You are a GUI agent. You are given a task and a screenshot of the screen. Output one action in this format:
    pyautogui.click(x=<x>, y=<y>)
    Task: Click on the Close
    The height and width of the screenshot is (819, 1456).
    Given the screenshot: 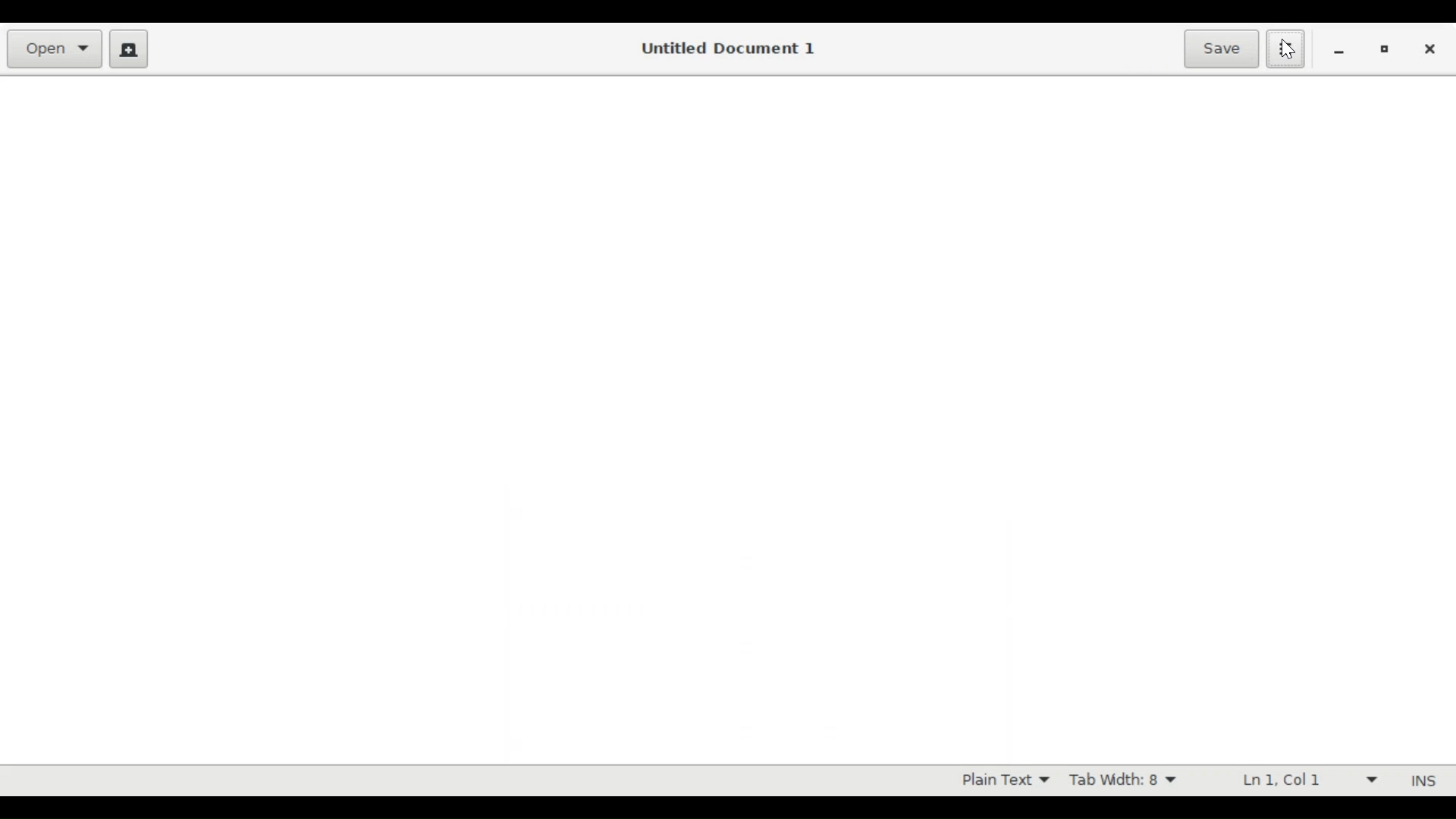 What is the action you would take?
    pyautogui.click(x=1432, y=52)
    